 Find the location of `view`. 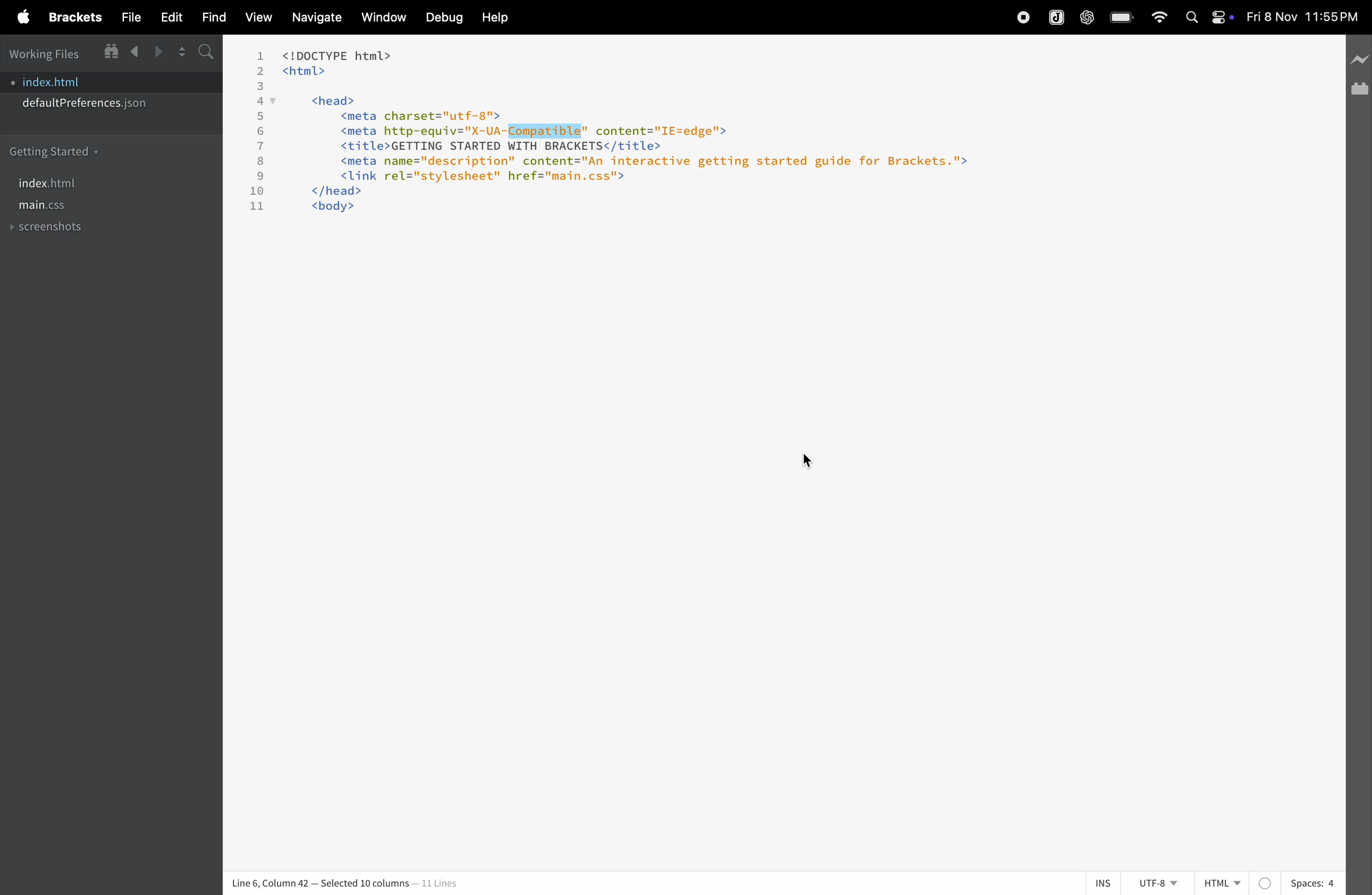

view is located at coordinates (258, 19).